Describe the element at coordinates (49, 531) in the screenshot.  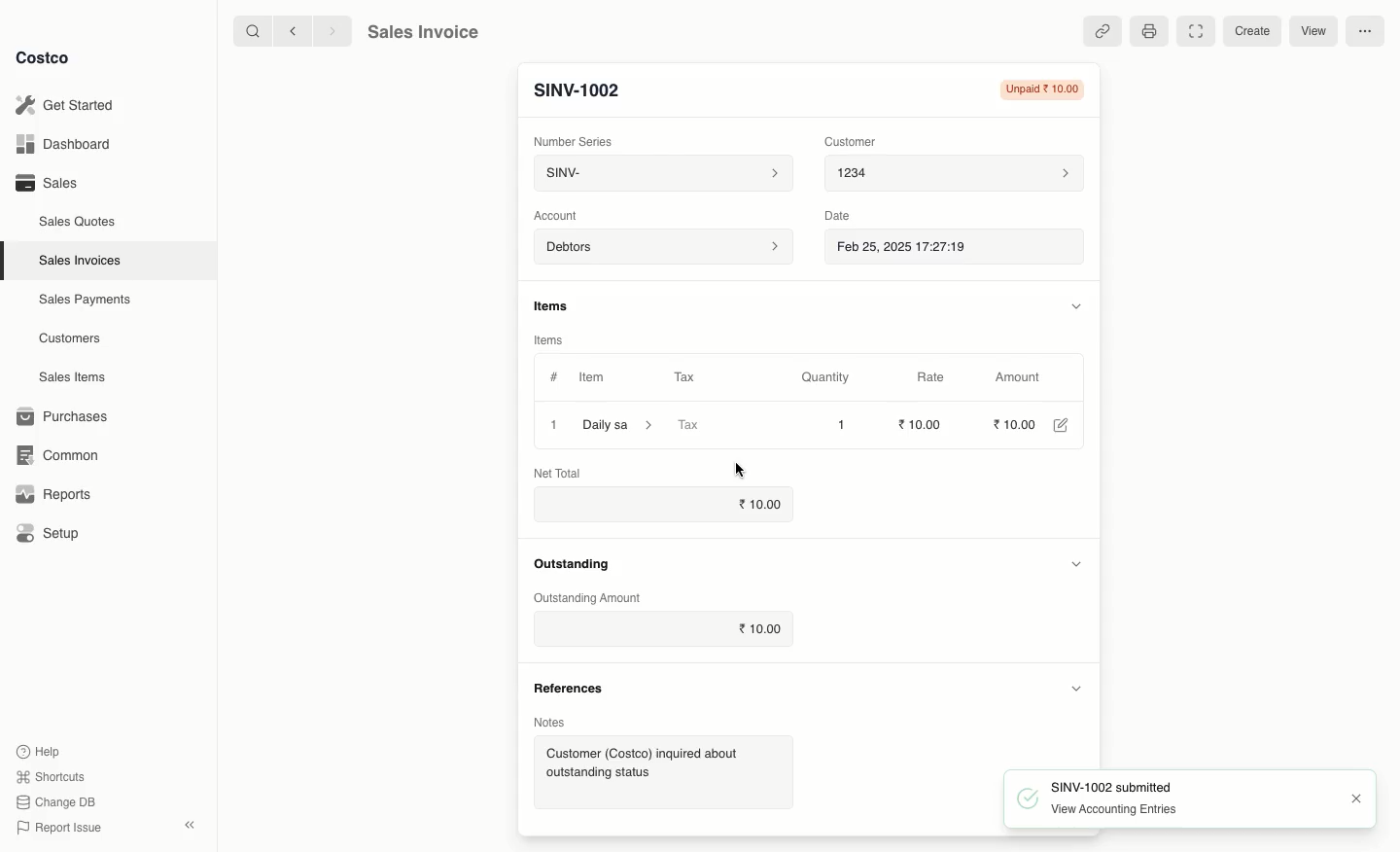
I see `Setup` at that location.